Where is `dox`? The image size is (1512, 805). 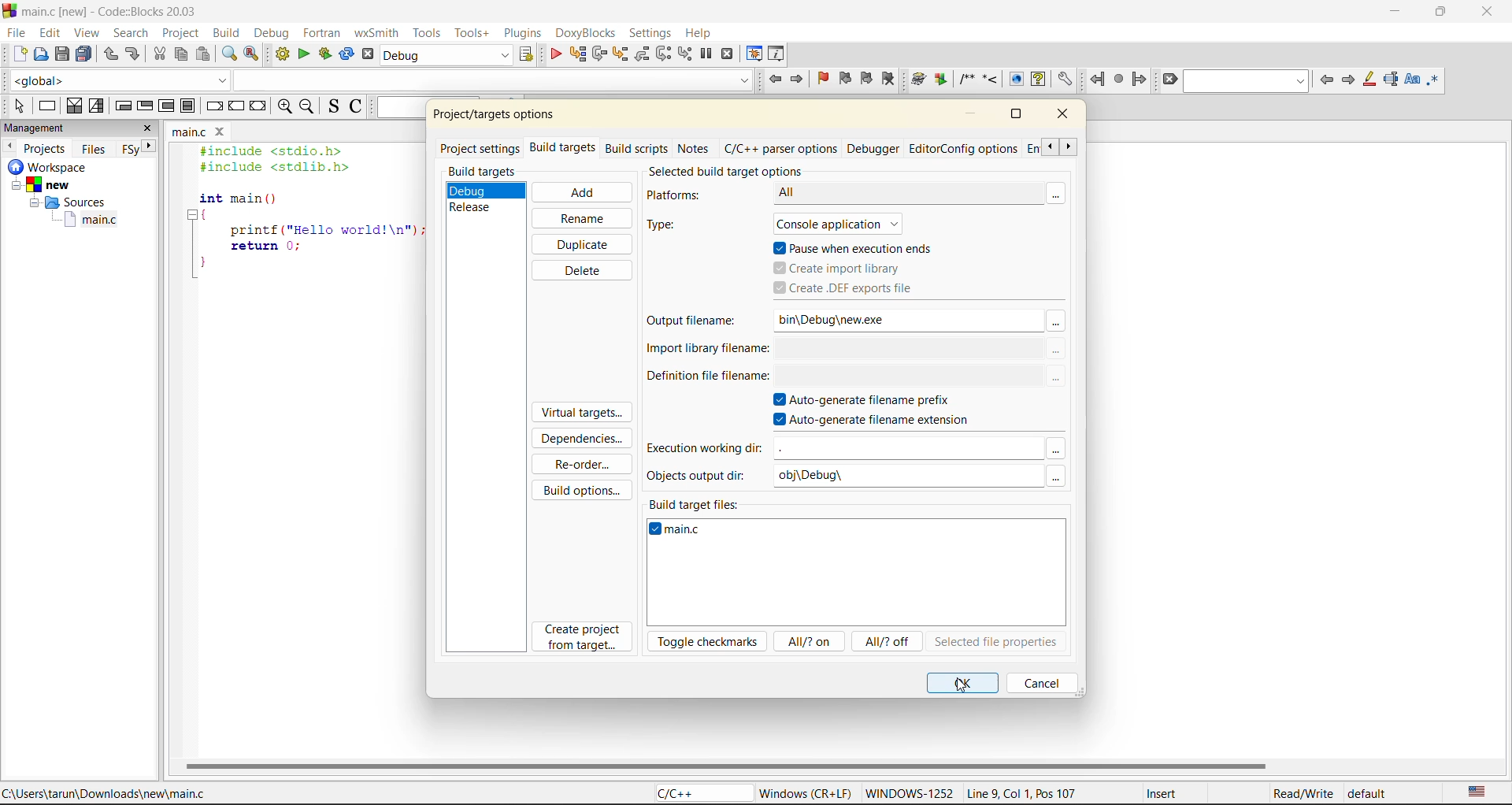
dox is located at coordinates (584, 33).